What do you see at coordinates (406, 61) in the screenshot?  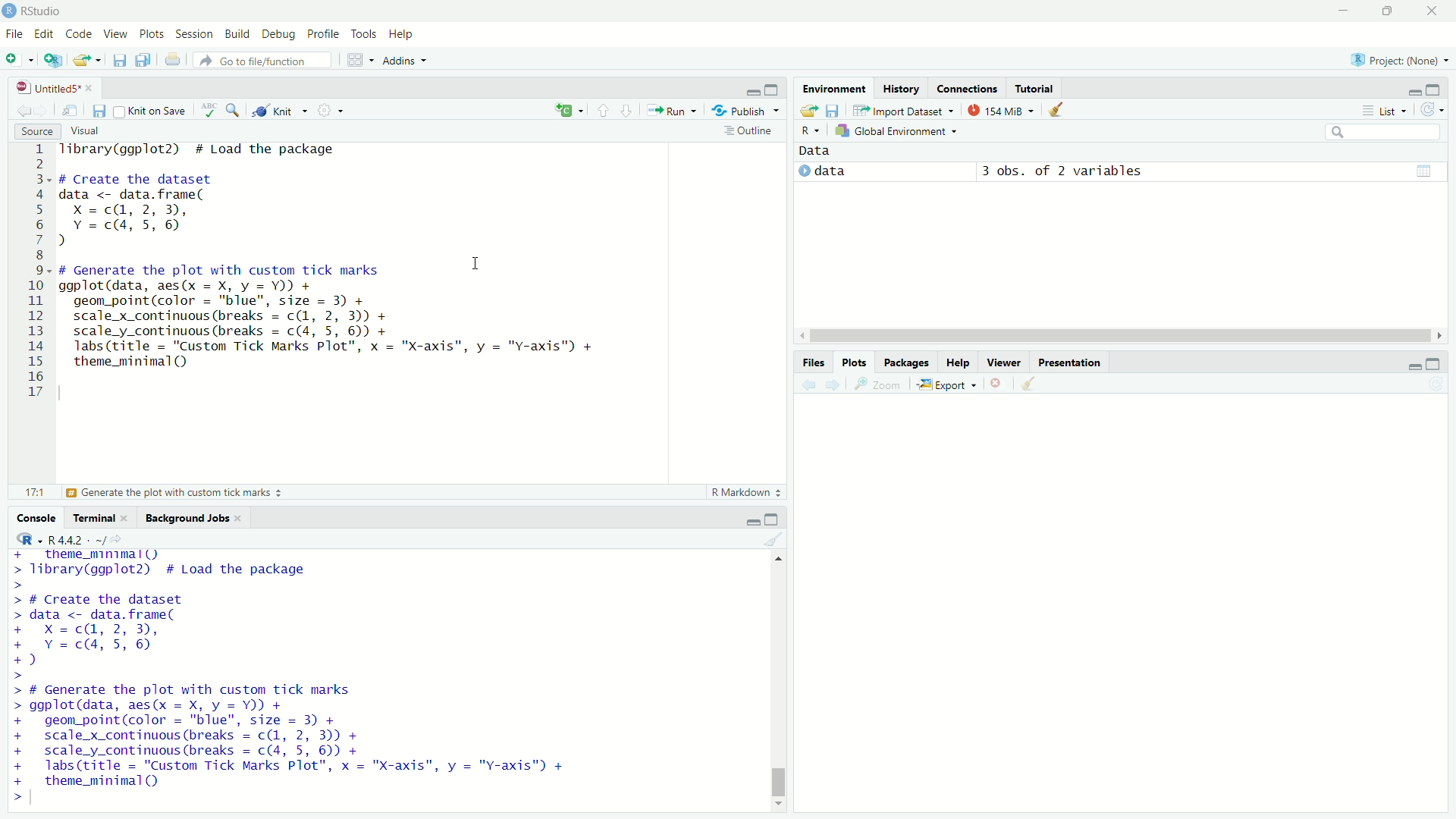 I see `addins` at bounding box center [406, 61].